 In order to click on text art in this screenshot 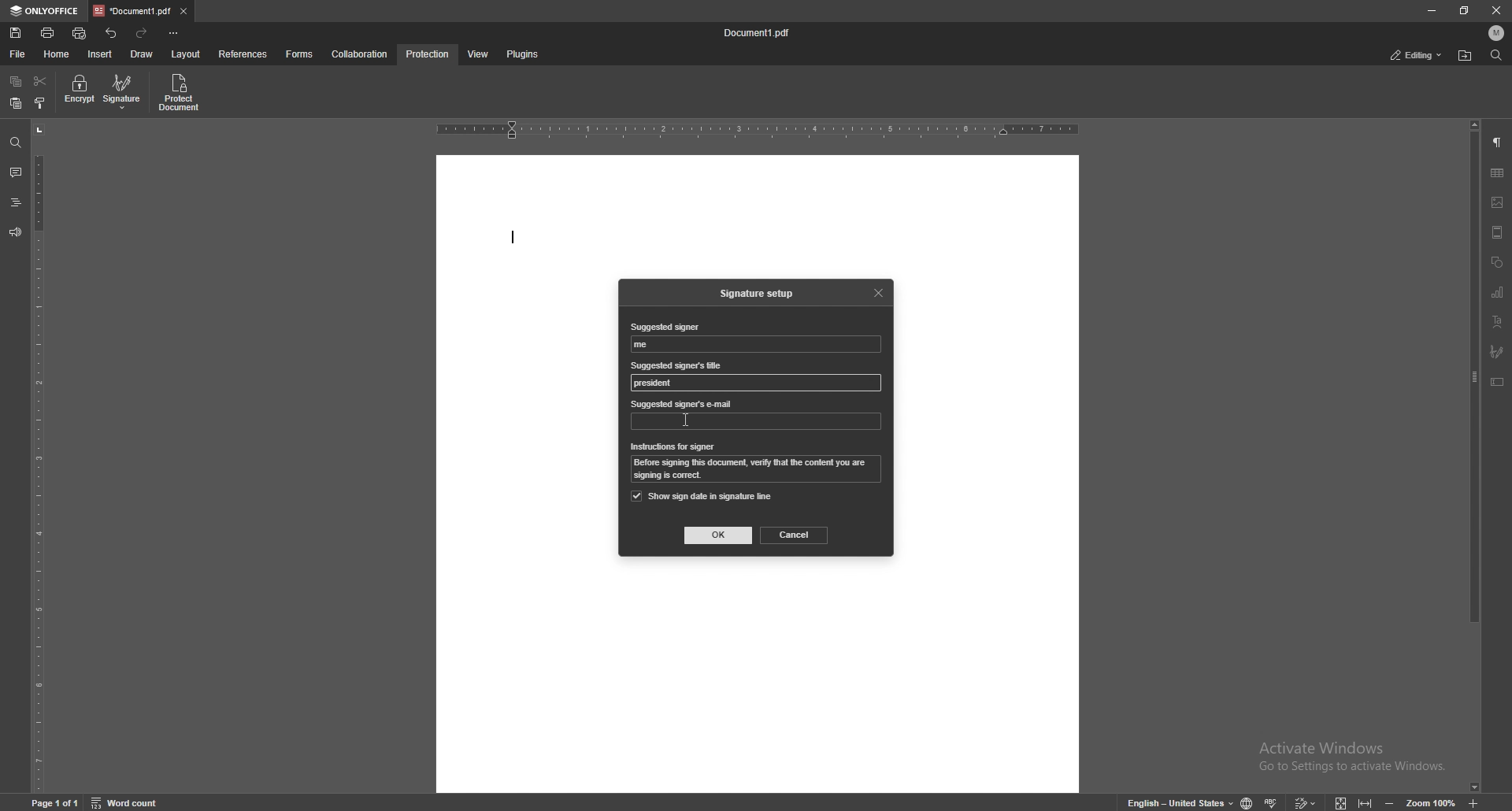, I will do `click(1497, 323)`.